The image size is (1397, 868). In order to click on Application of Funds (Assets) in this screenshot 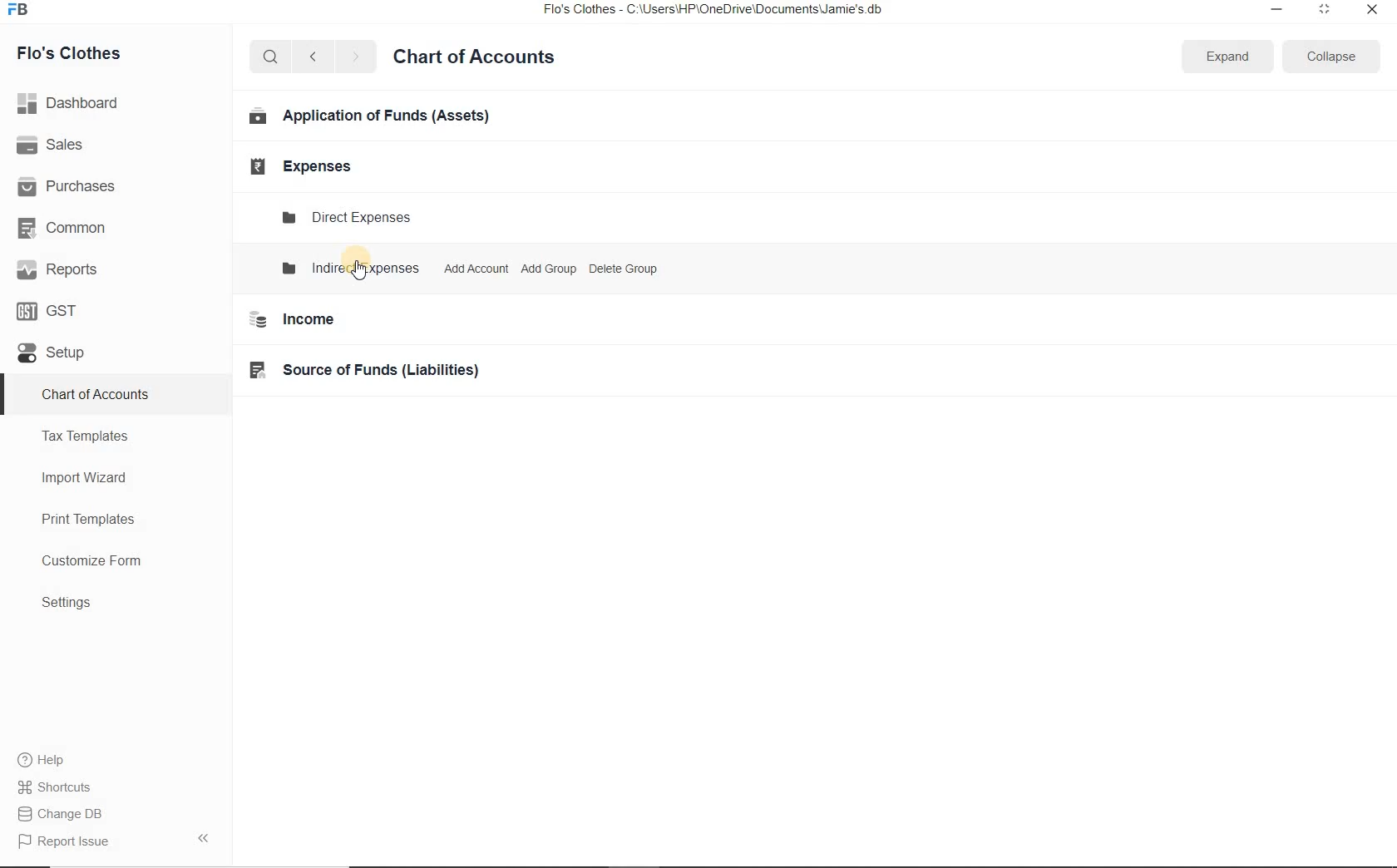, I will do `click(370, 117)`.